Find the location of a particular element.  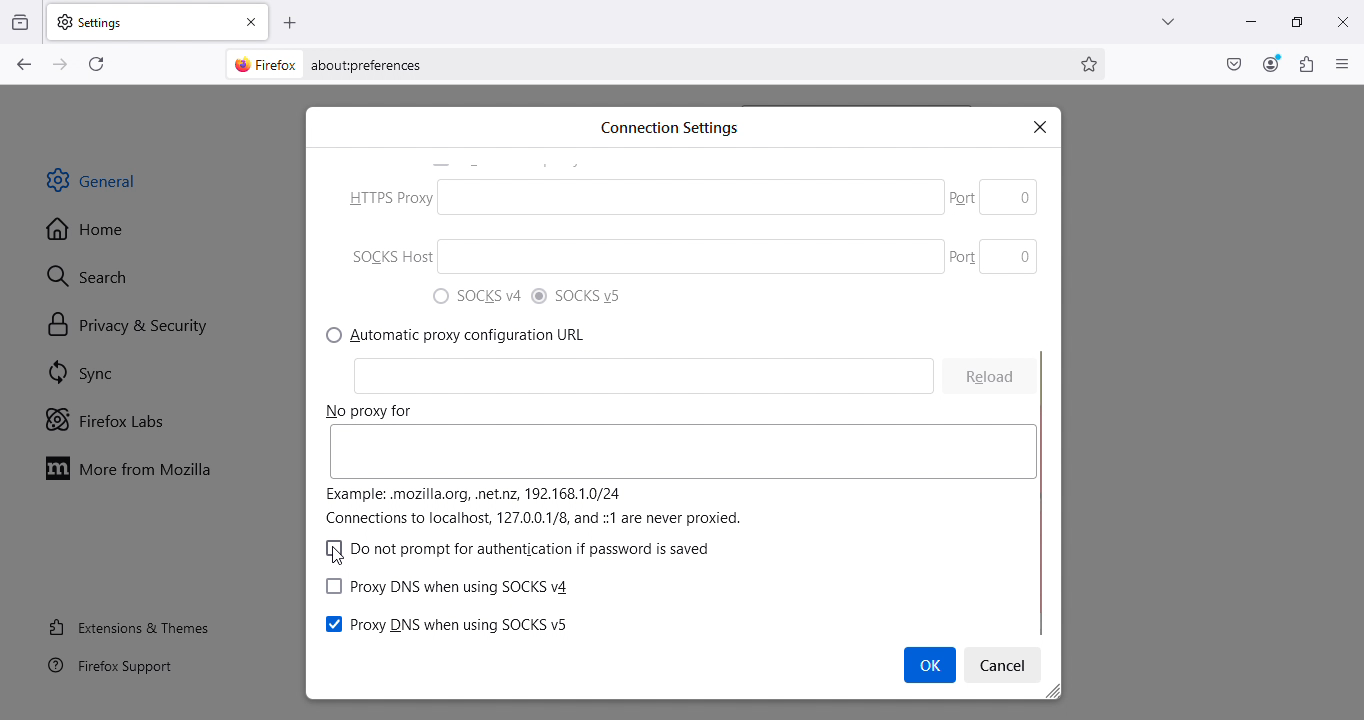

Firefox support is located at coordinates (113, 670).